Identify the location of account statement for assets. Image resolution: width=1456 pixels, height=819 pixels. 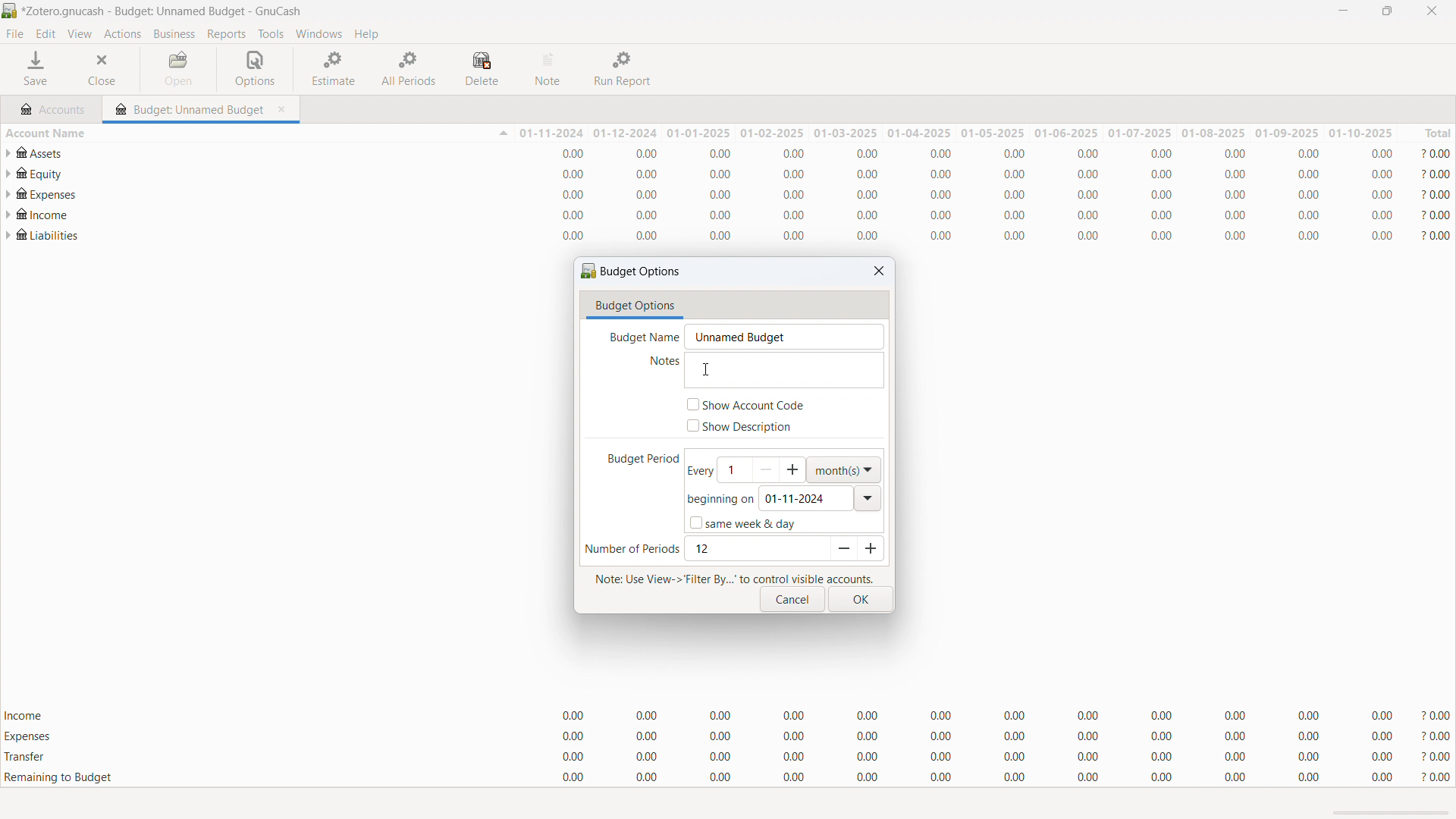
(736, 153).